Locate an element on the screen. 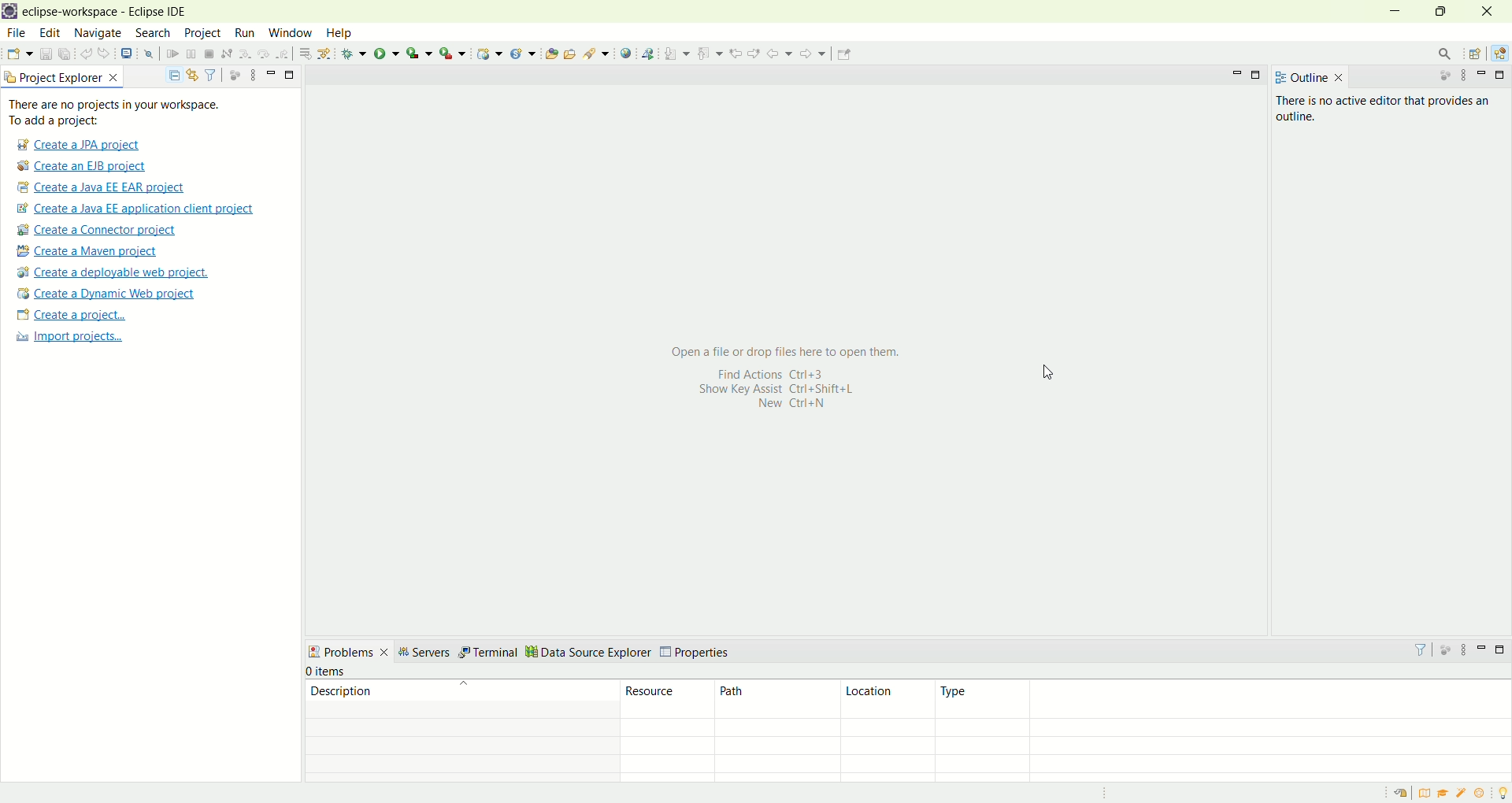 The height and width of the screenshot is (803, 1512). minimize is located at coordinates (271, 72).